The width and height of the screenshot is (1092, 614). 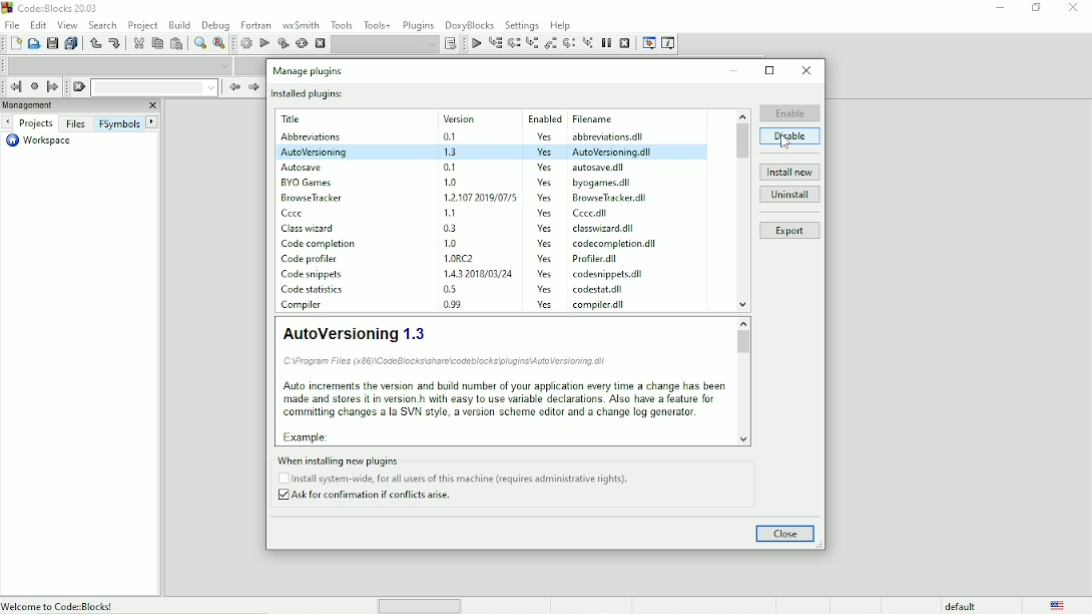 What do you see at coordinates (543, 229) in the screenshot?
I see `Yes` at bounding box center [543, 229].